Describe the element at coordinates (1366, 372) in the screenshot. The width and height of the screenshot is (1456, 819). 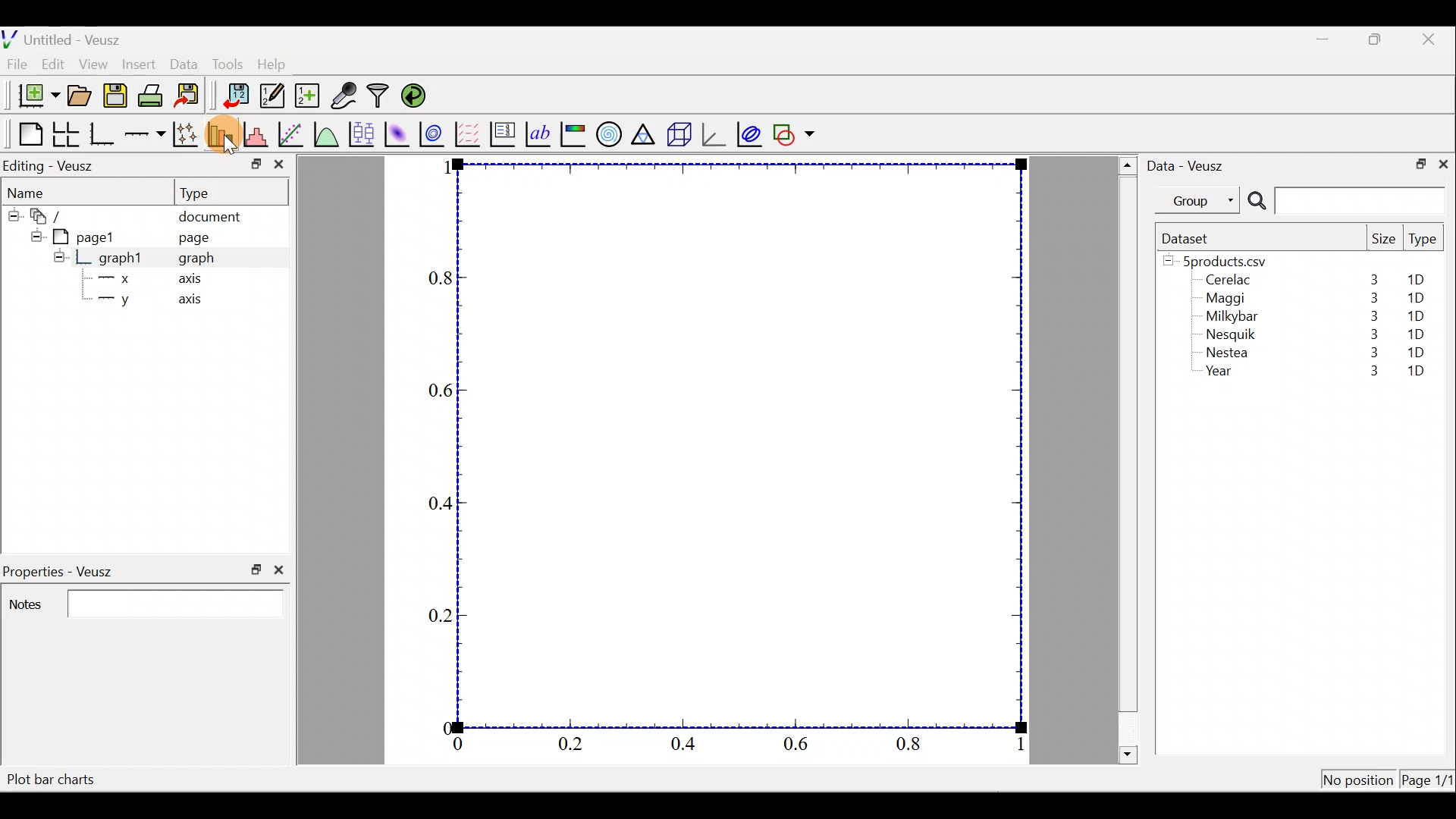
I see `3` at that location.